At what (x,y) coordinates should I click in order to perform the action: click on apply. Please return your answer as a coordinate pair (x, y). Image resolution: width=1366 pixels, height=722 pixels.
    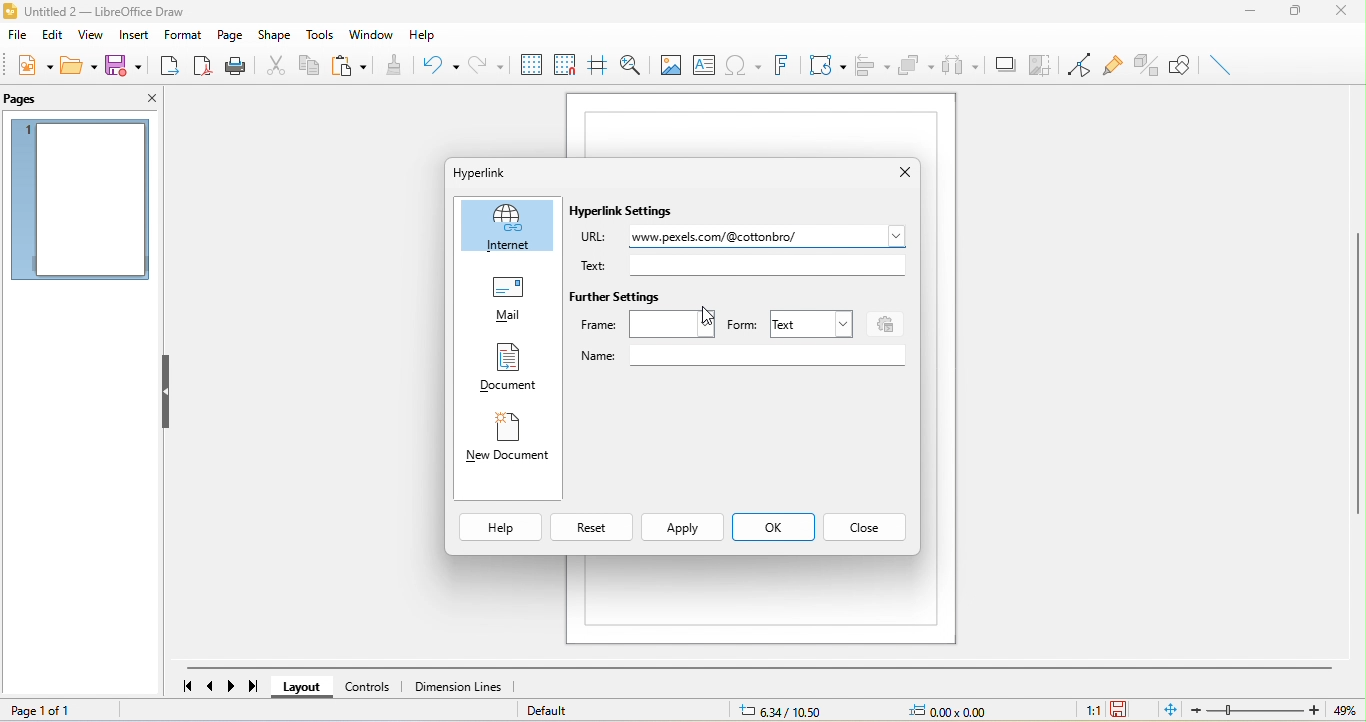
    Looking at the image, I should click on (683, 526).